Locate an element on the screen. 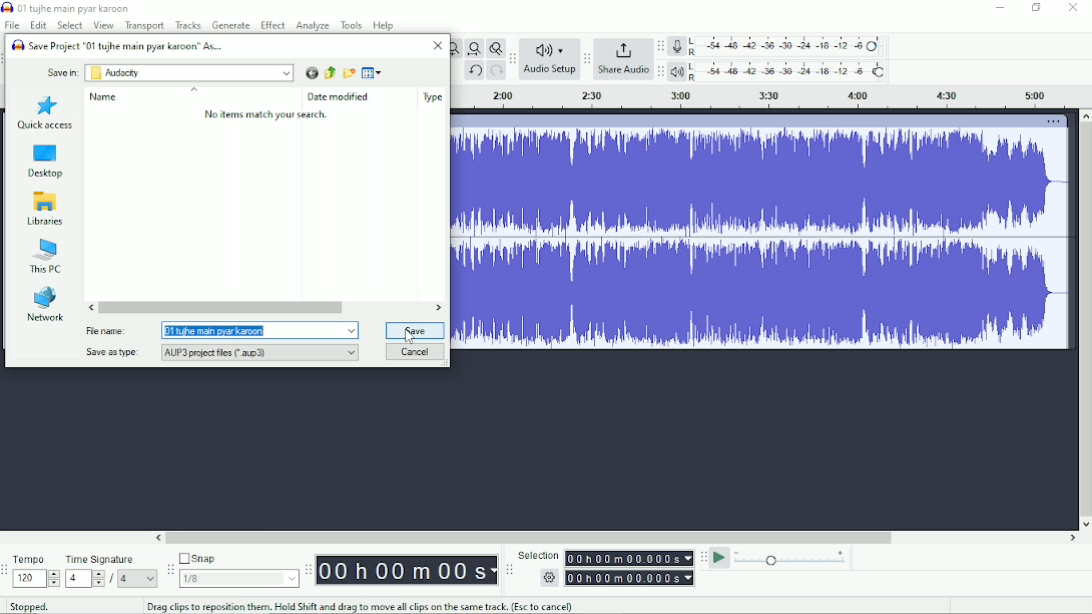  Type is located at coordinates (433, 97).